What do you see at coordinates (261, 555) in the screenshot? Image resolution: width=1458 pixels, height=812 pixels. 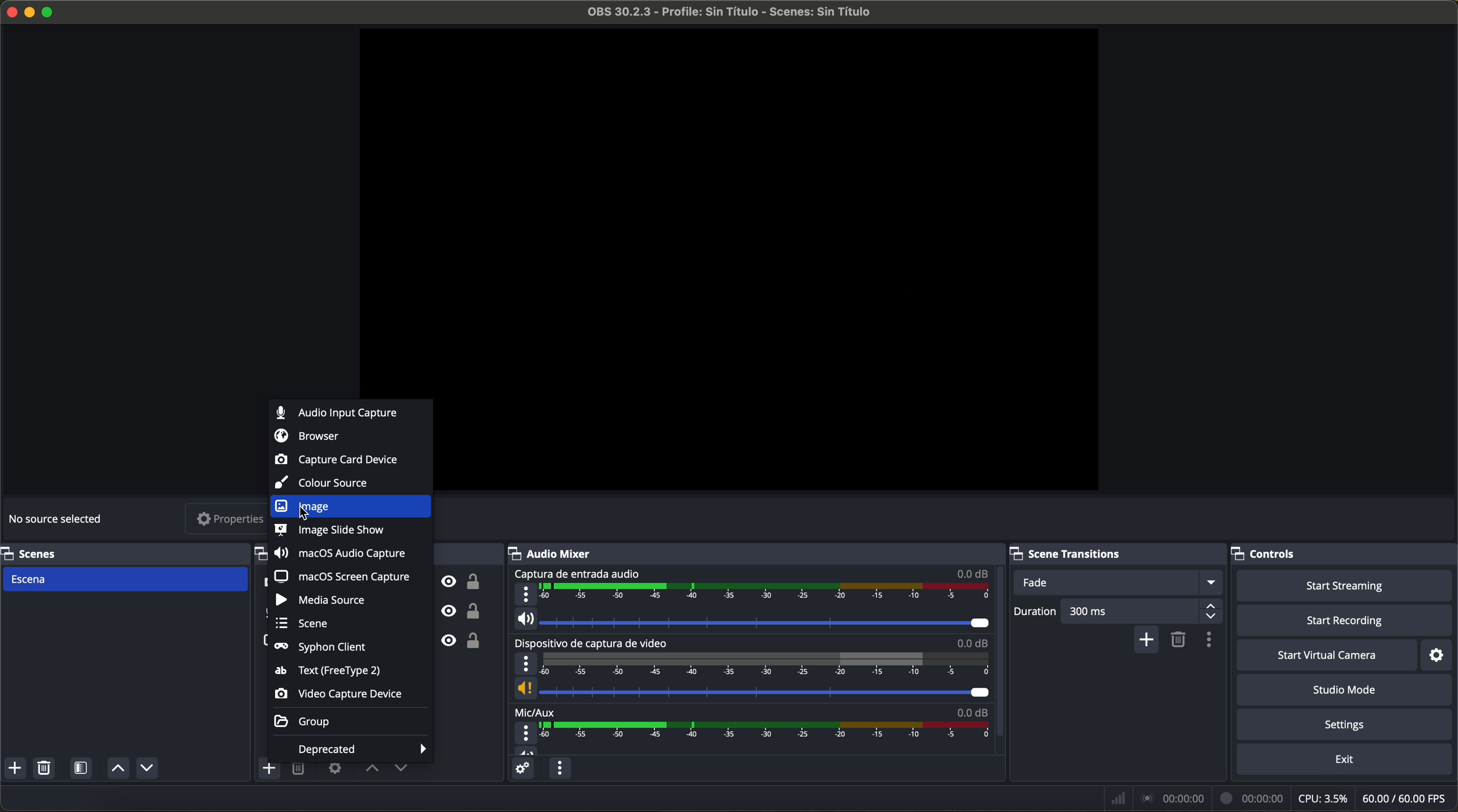 I see `sources` at bounding box center [261, 555].